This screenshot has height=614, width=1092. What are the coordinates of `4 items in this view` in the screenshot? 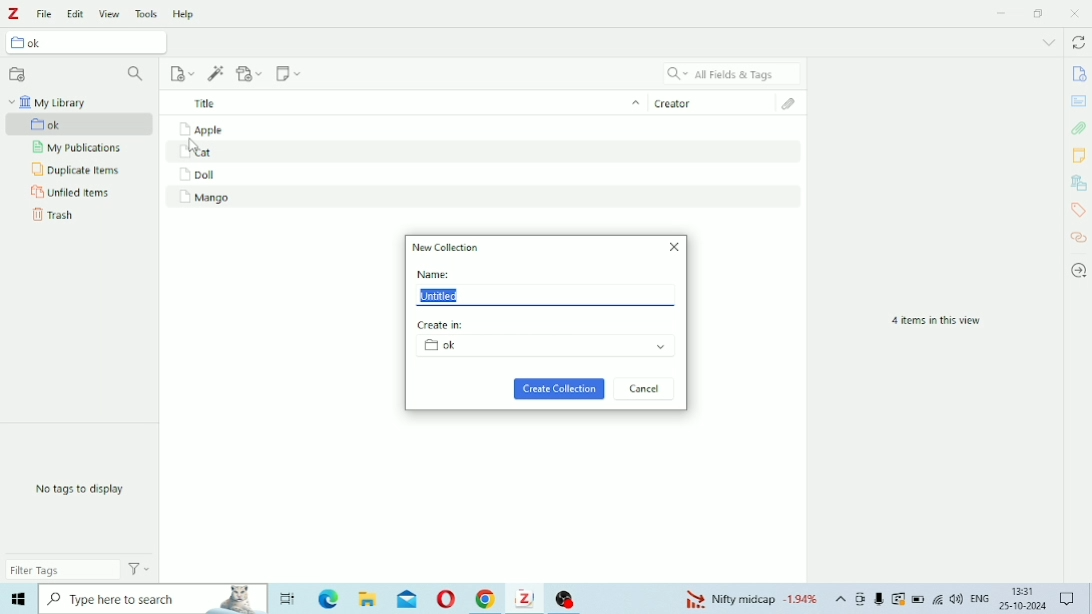 It's located at (936, 321).